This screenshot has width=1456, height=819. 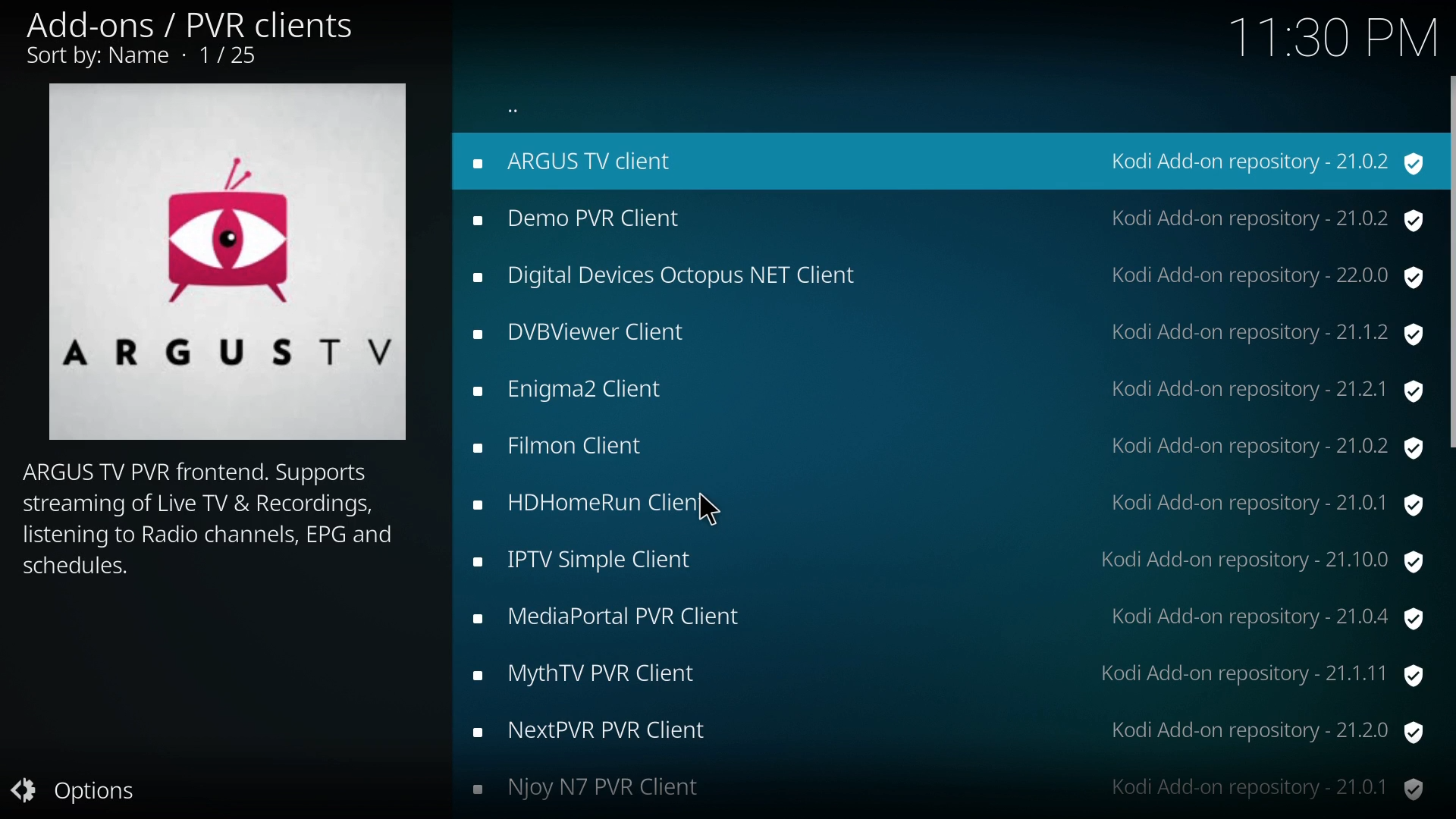 What do you see at coordinates (946, 789) in the screenshot?
I see `Njoy N7 PVR Client Kodi Add-on repository - 21.0.1` at bounding box center [946, 789].